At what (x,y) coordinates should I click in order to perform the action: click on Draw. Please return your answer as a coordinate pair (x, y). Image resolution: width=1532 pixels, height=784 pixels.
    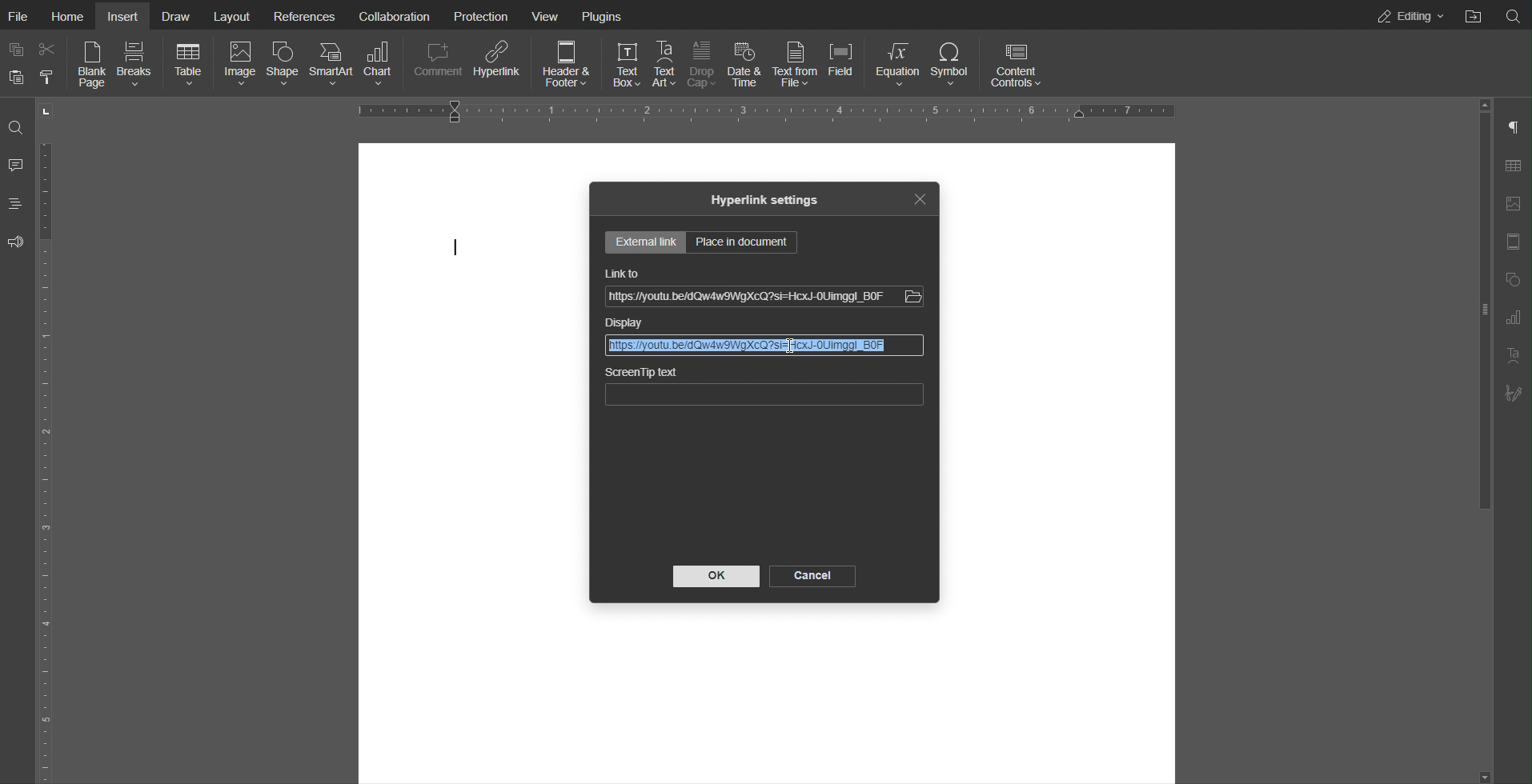
    Looking at the image, I should click on (180, 16).